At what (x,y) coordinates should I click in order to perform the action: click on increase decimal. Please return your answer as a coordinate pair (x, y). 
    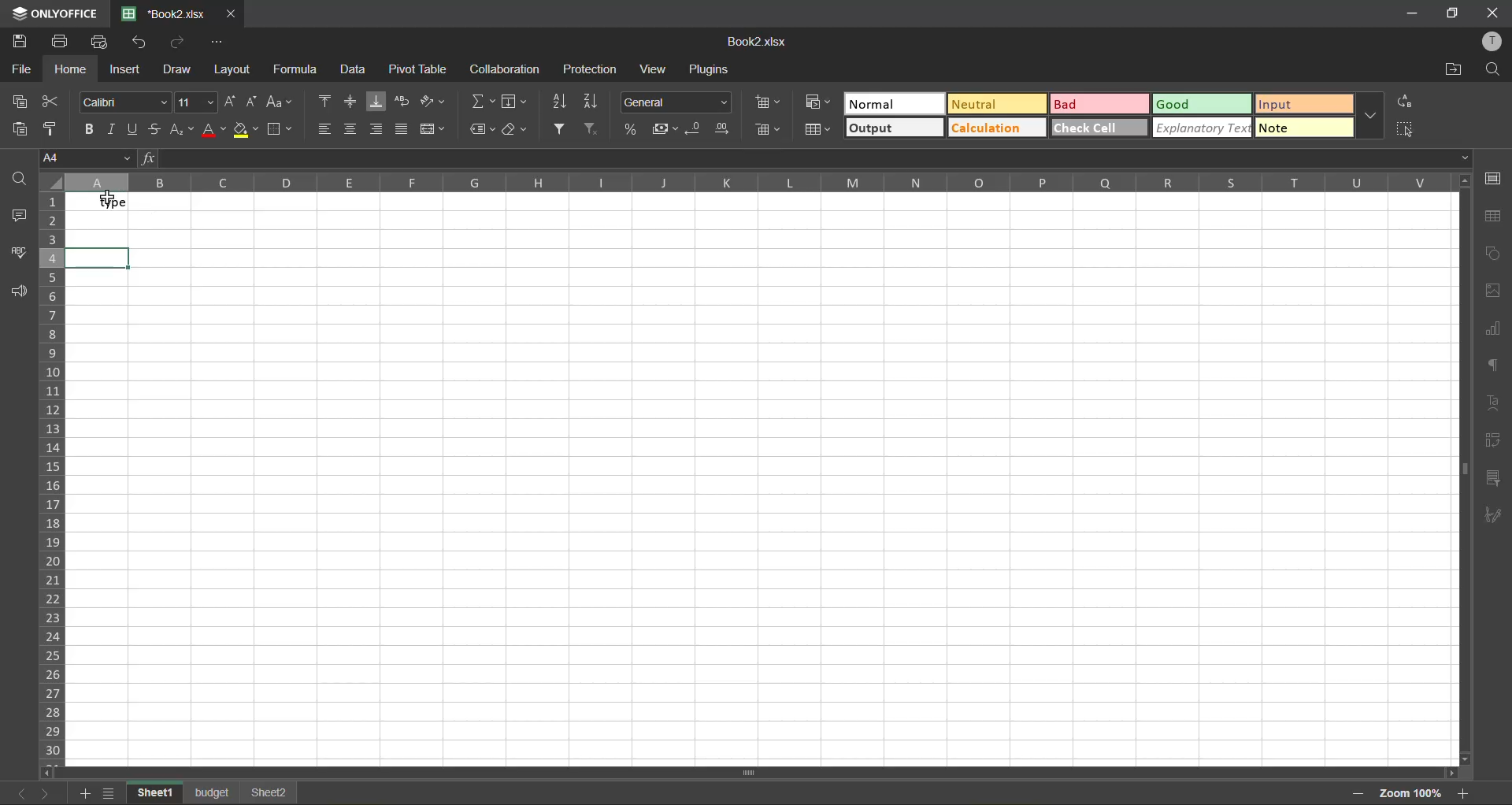
    Looking at the image, I should click on (725, 131).